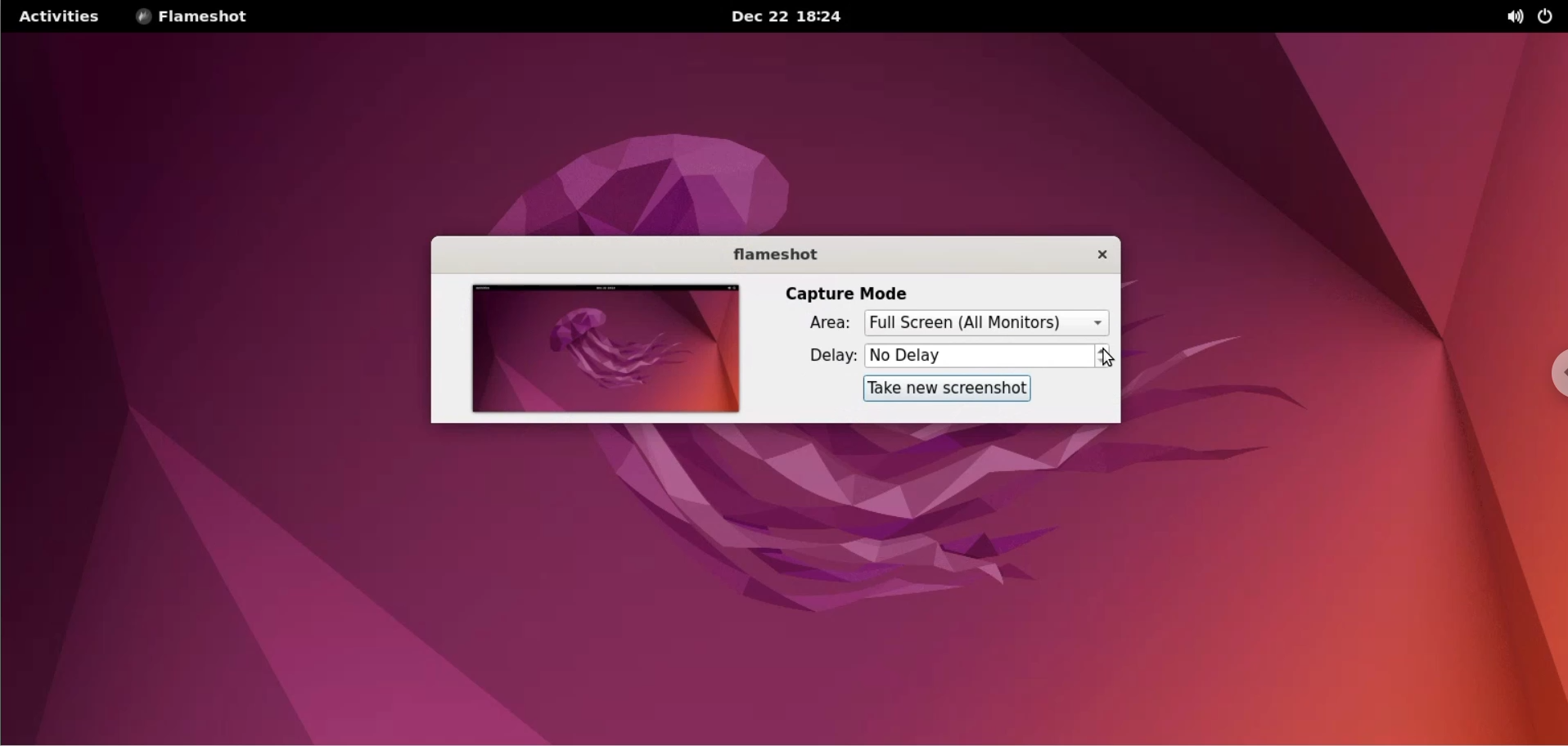 This screenshot has height=746, width=1568. What do you see at coordinates (62, 17) in the screenshot?
I see `activities` at bounding box center [62, 17].